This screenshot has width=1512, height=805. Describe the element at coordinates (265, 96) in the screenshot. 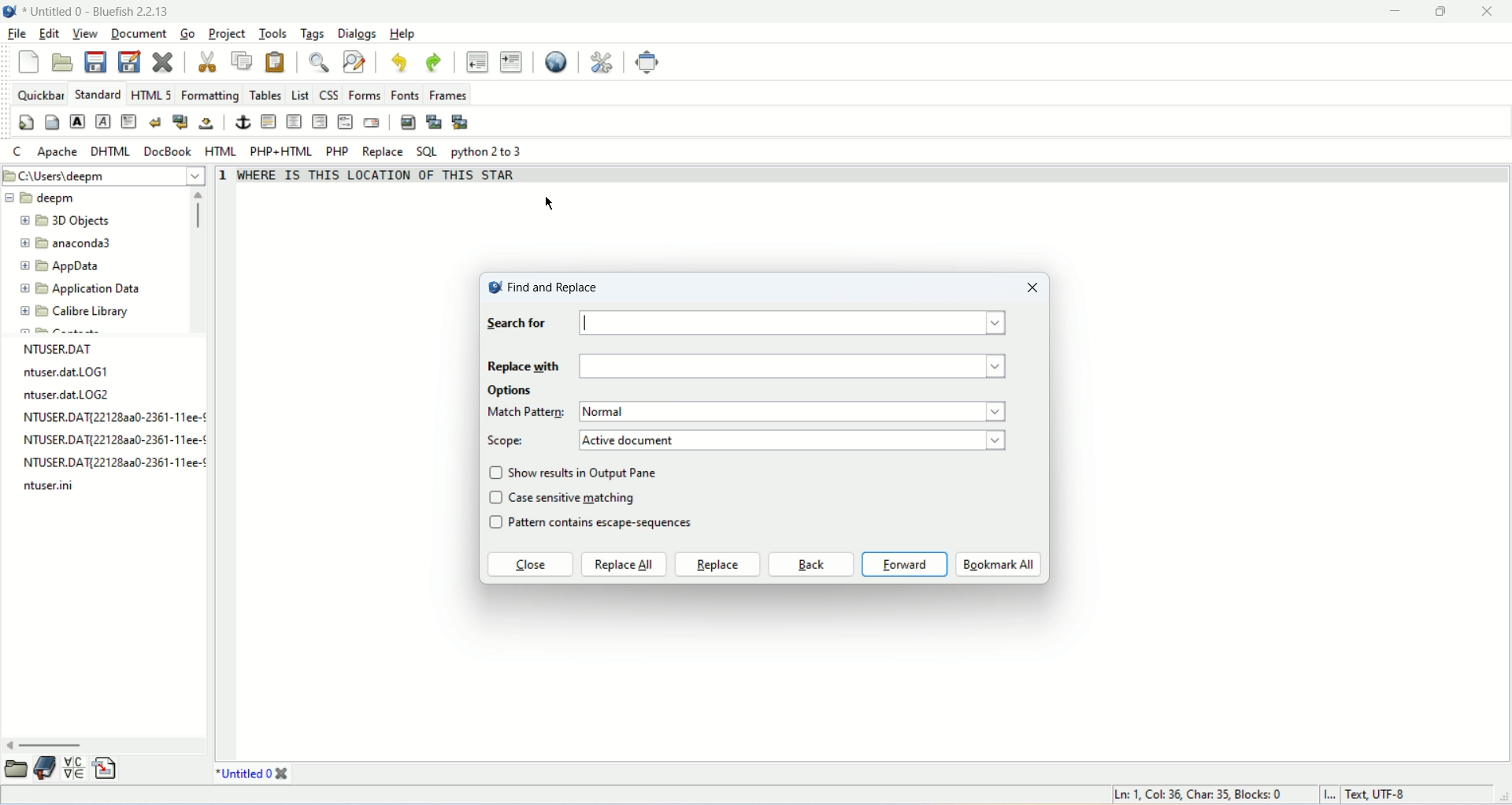

I see `tables` at that location.